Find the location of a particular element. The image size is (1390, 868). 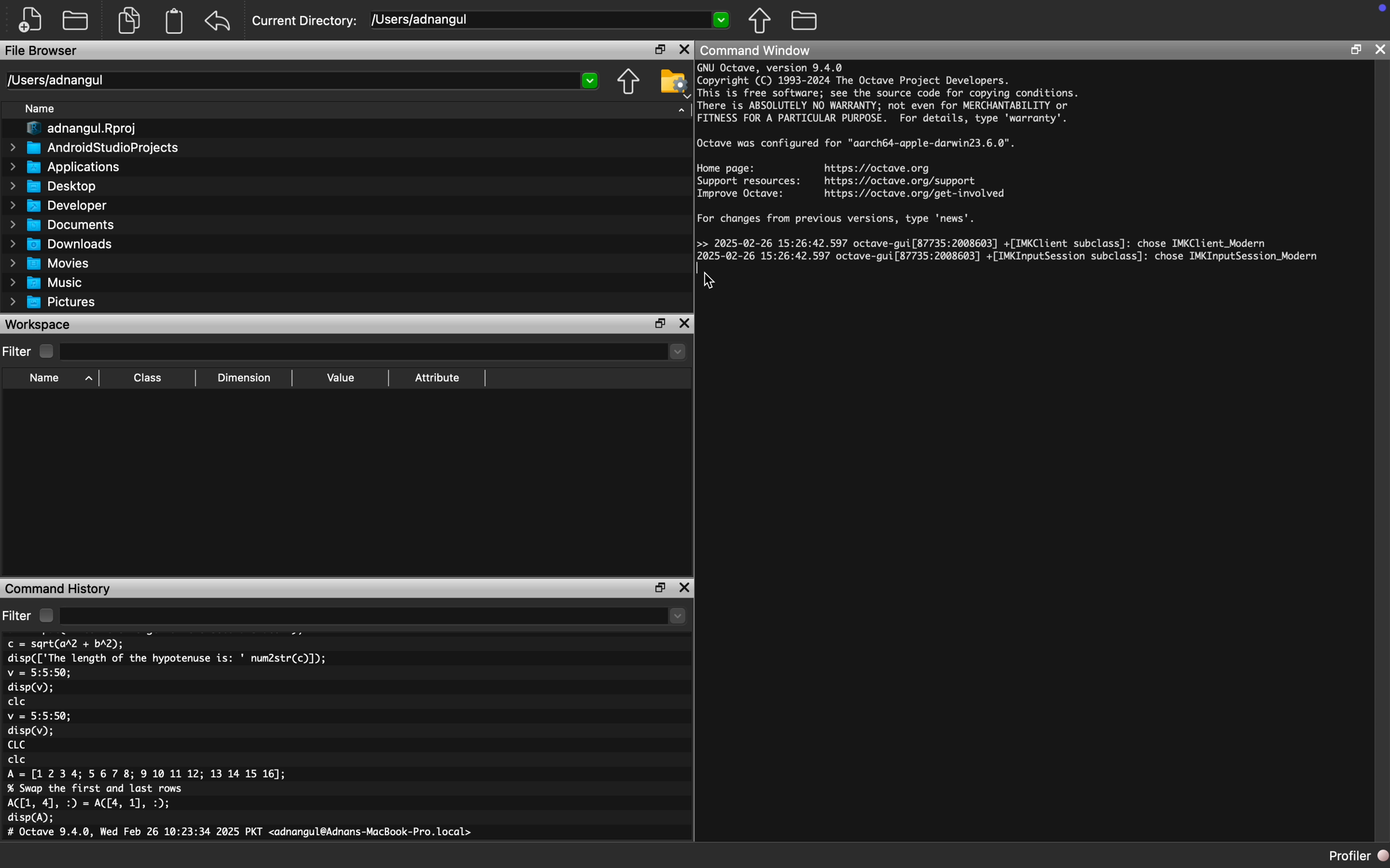

Restore Down is located at coordinates (661, 588).